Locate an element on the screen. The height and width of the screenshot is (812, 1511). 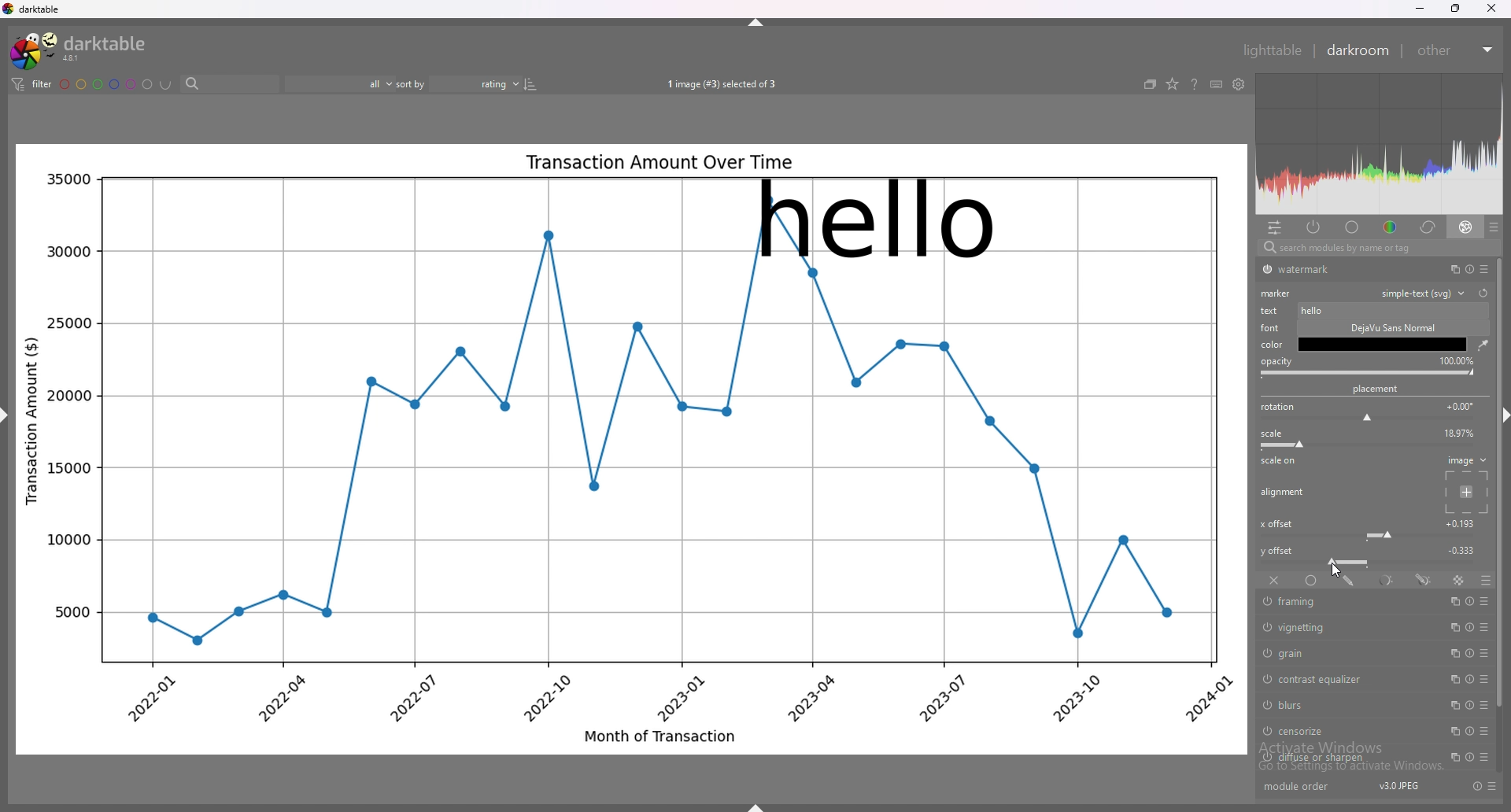
change type of overlays is located at coordinates (1173, 85).